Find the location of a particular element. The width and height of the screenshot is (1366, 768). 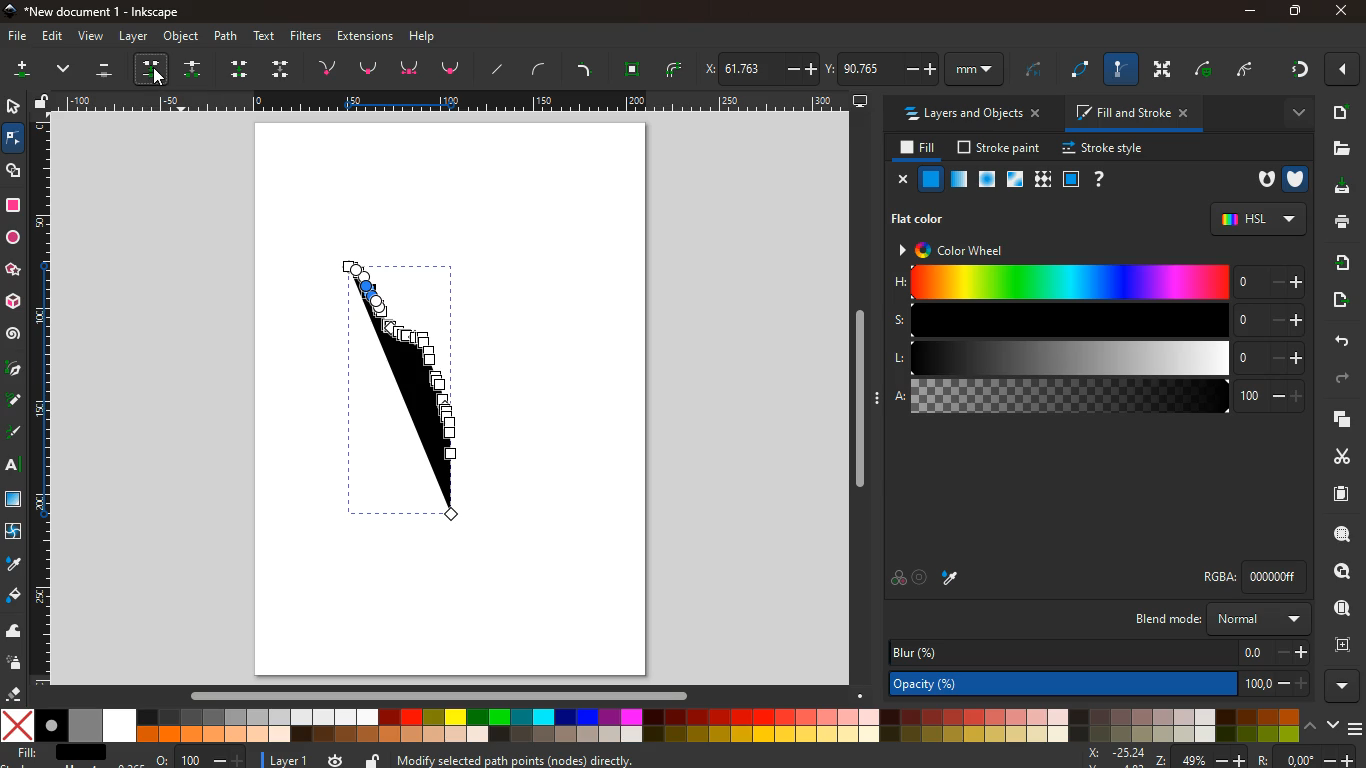

pencil took is located at coordinates (15, 400).